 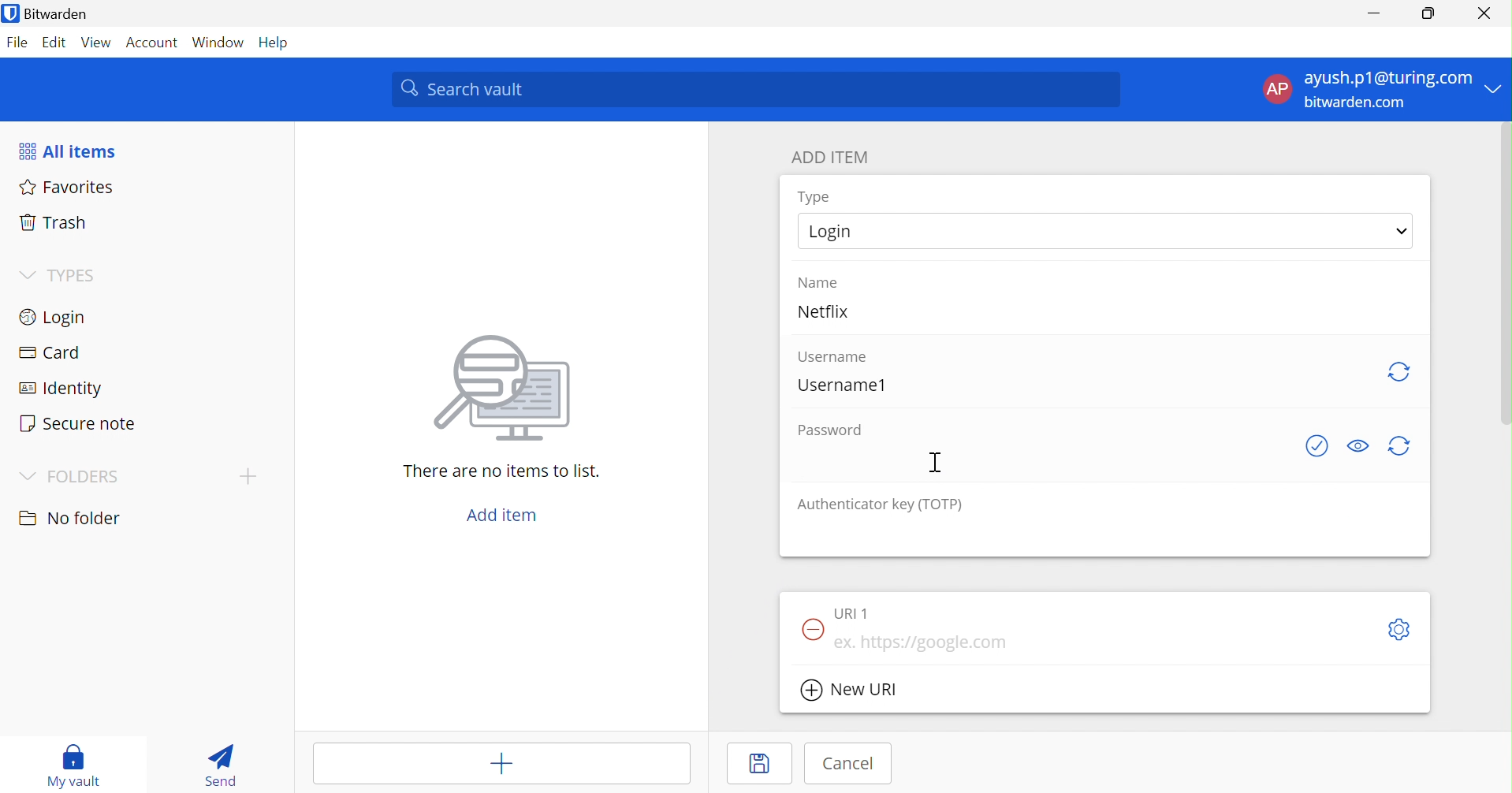 I want to click on FOLDERS, so click(x=67, y=478).